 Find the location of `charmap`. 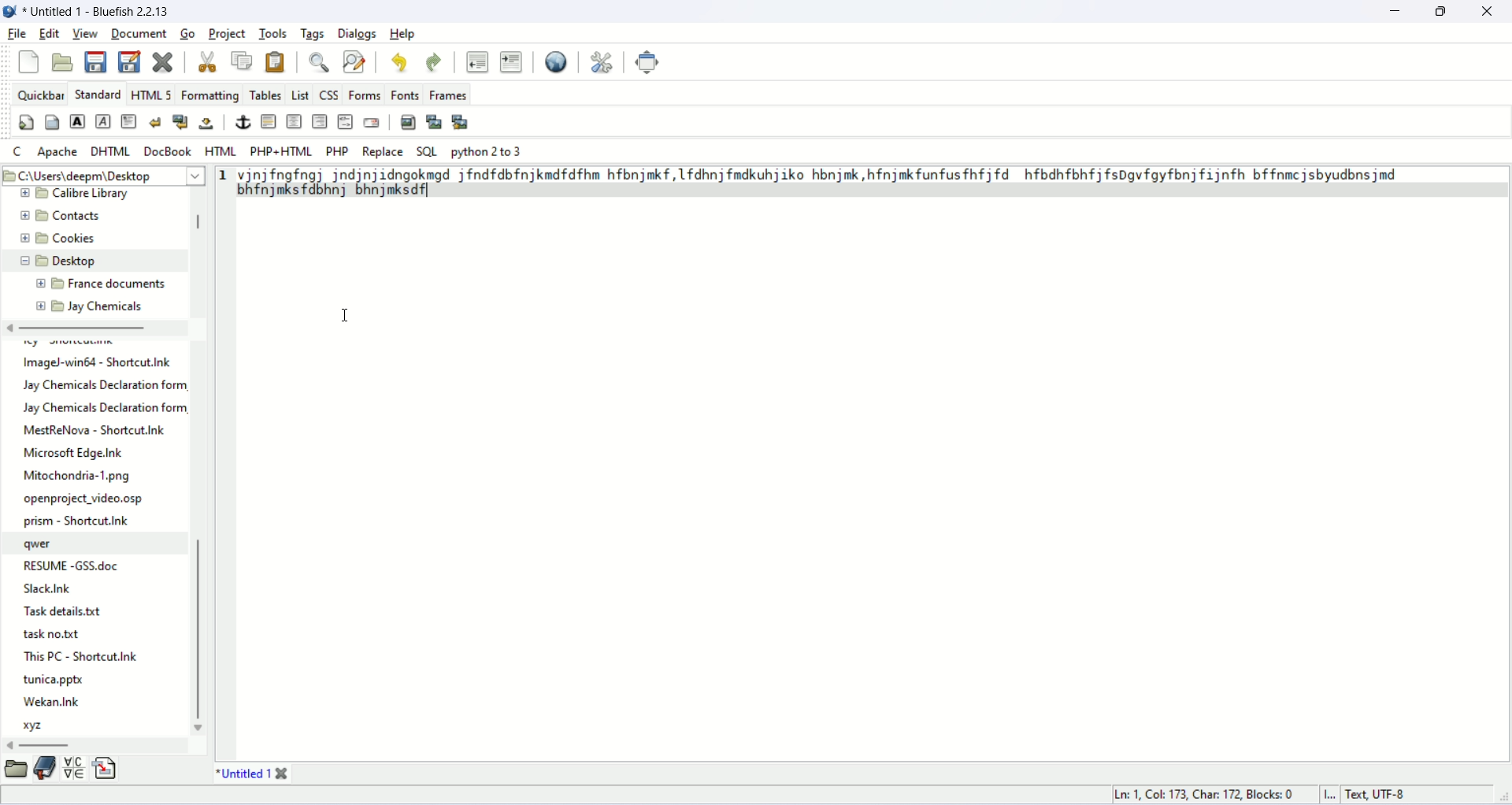

charmap is located at coordinates (75, 770).